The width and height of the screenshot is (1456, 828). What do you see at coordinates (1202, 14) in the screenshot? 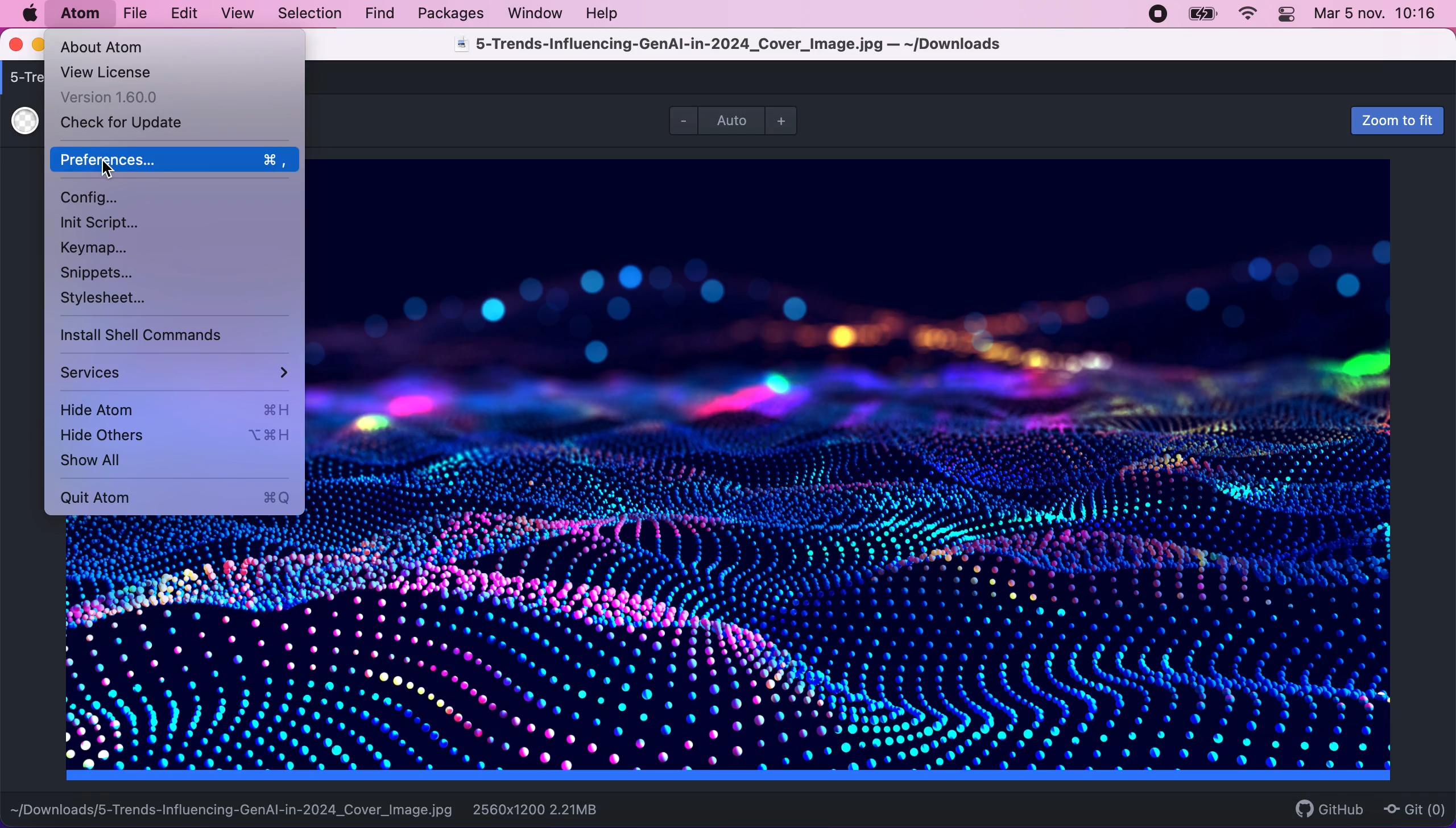
I see `battery` at bounding box center [1202, 14].